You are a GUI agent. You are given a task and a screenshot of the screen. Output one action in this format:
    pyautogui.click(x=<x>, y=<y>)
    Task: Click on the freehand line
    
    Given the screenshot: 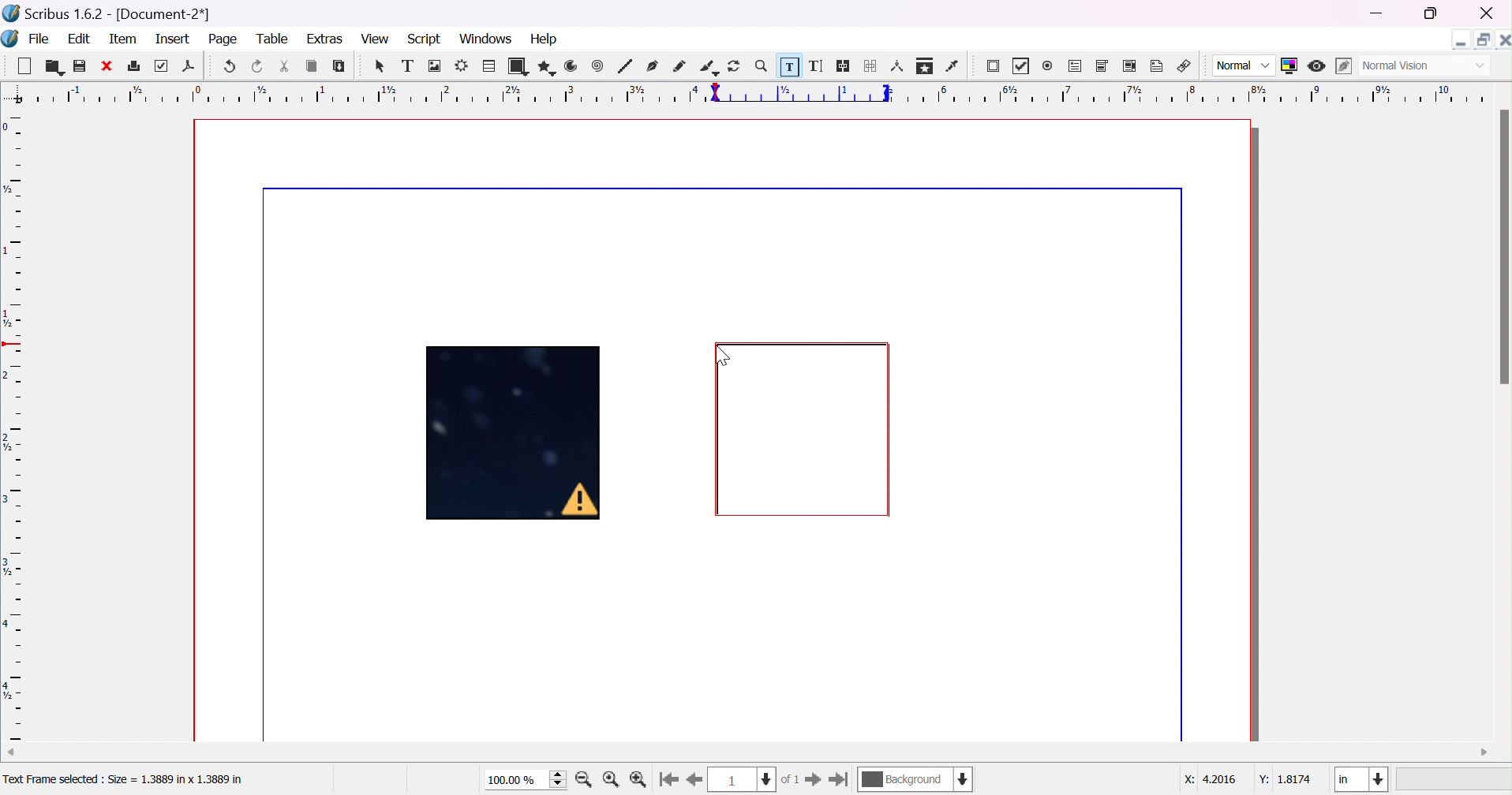 What is the action you would take?
    pyautogui.click(x=679, y=66)
    